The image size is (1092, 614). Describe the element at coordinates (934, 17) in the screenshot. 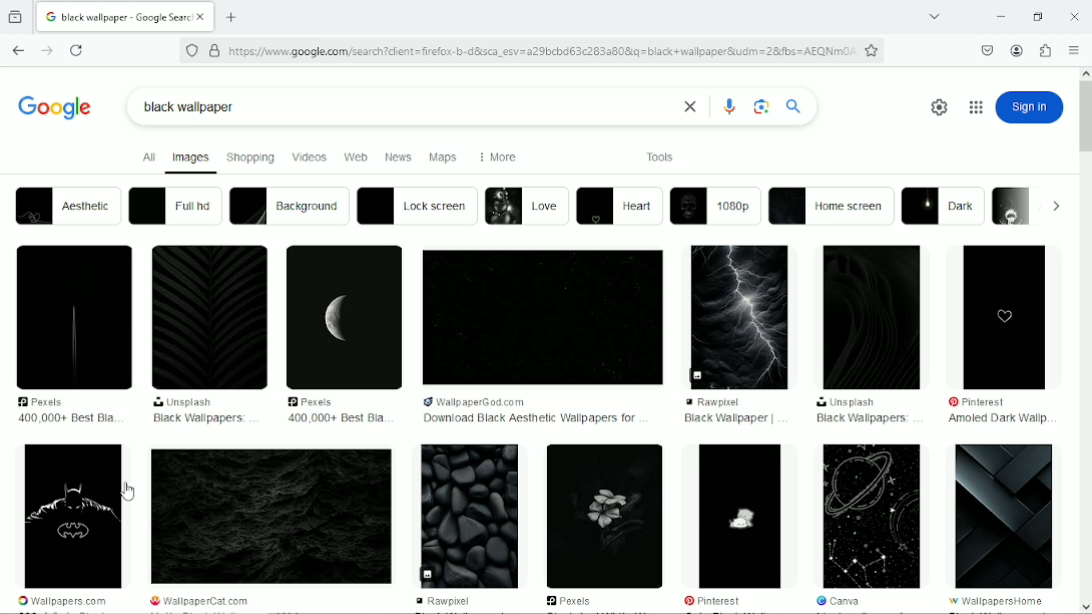

I see `list all tabs` at that location.